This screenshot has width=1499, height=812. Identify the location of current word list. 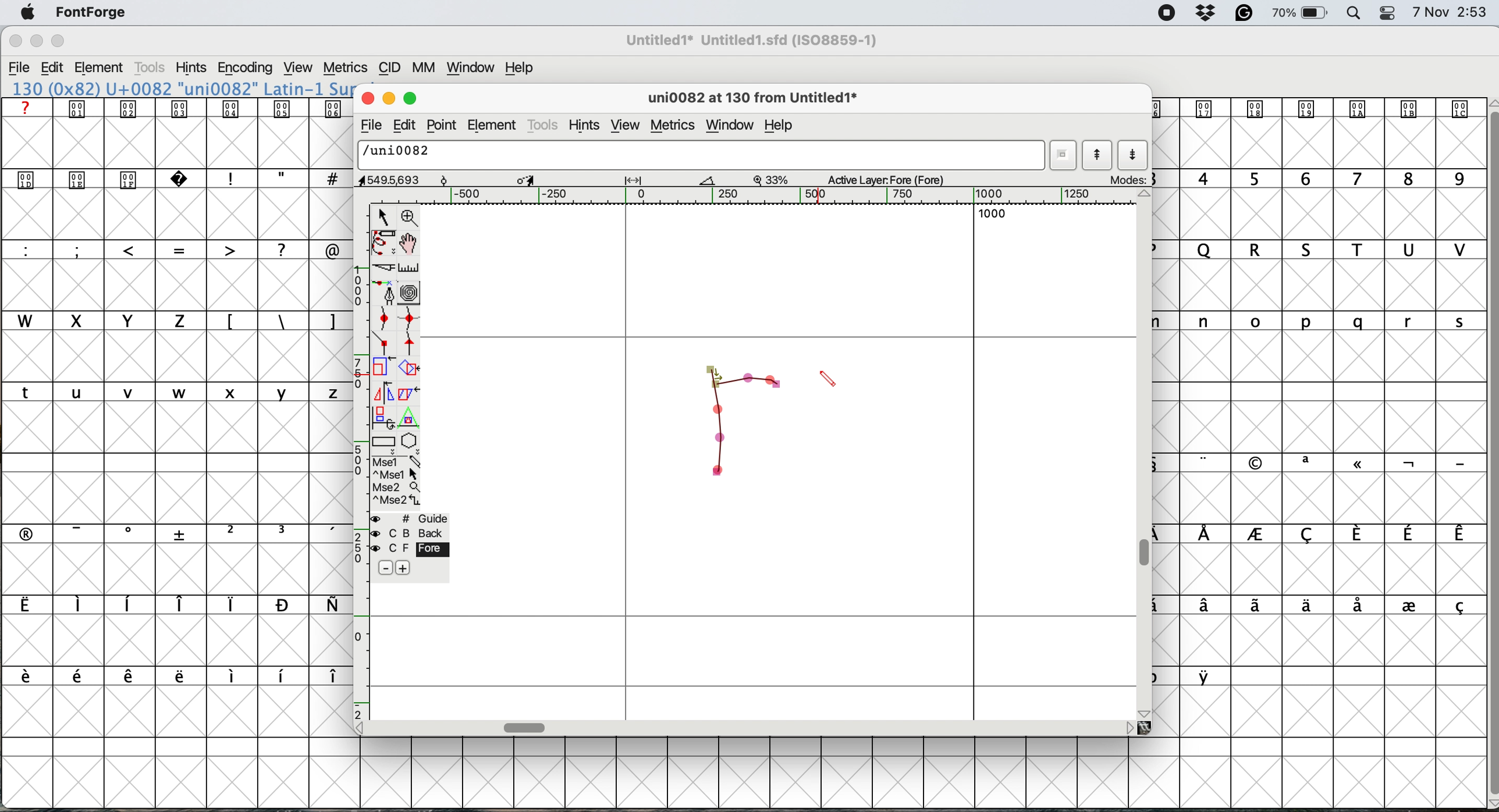
(1065, 155).